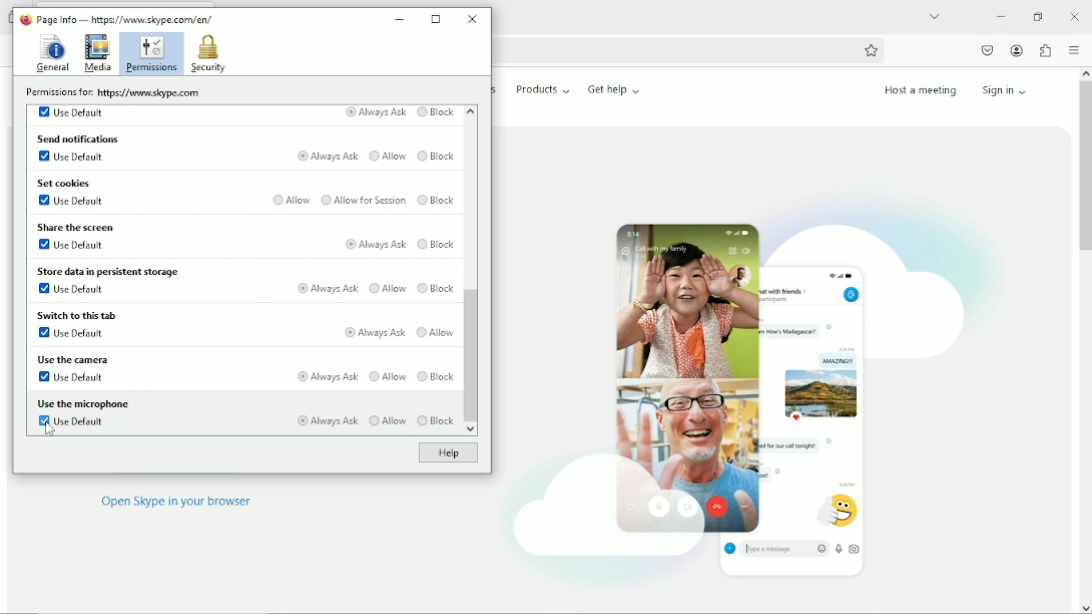 The height and width of the screenshot is (614, 1092). I want to click on Page Info — hips: www. skype com/en, so click(122, 18).